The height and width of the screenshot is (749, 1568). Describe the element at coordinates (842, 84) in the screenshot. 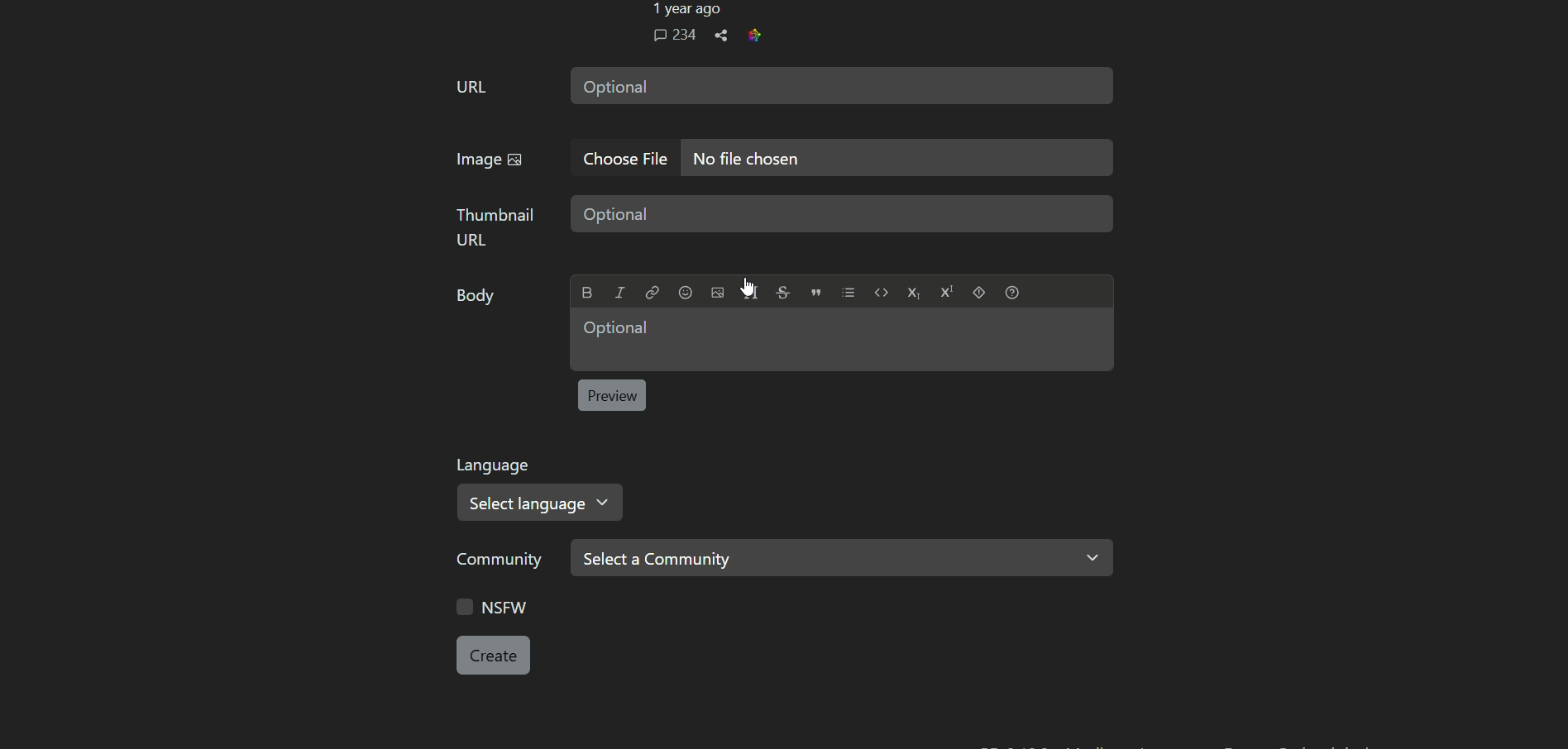

I see `text box` at that location.